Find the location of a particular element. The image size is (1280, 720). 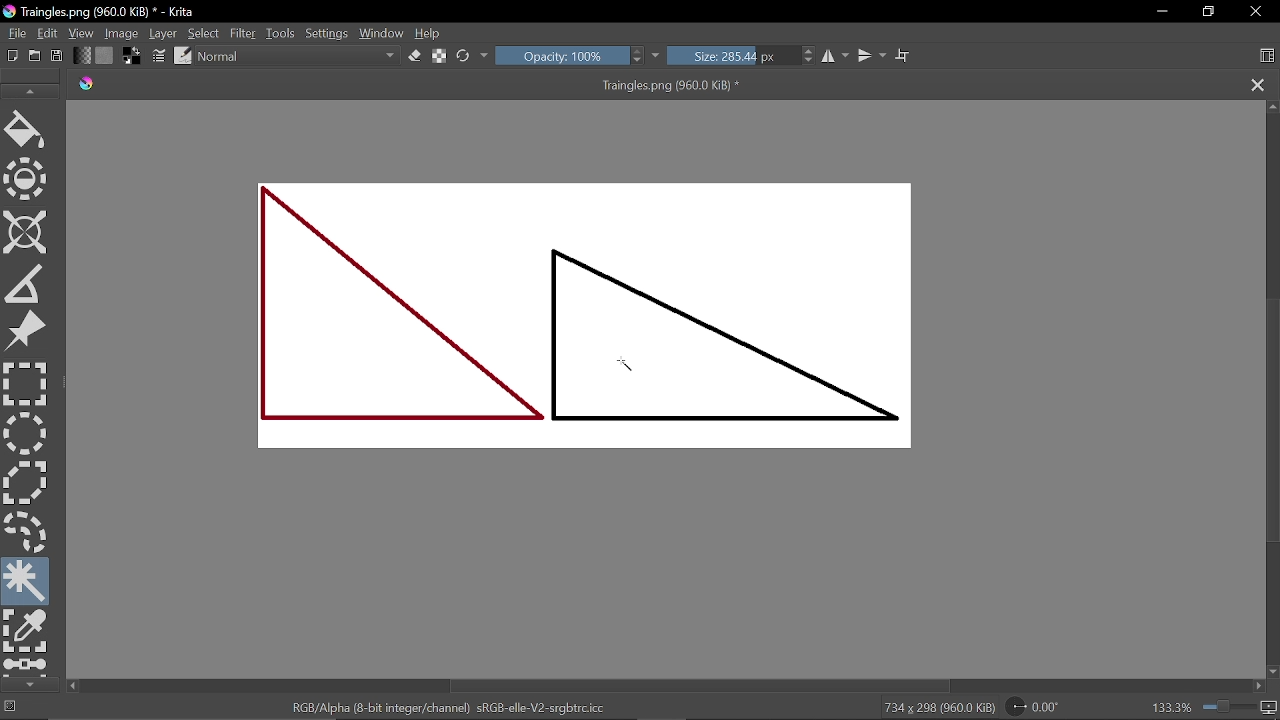

Cursor is located at coordinates (634, 367).